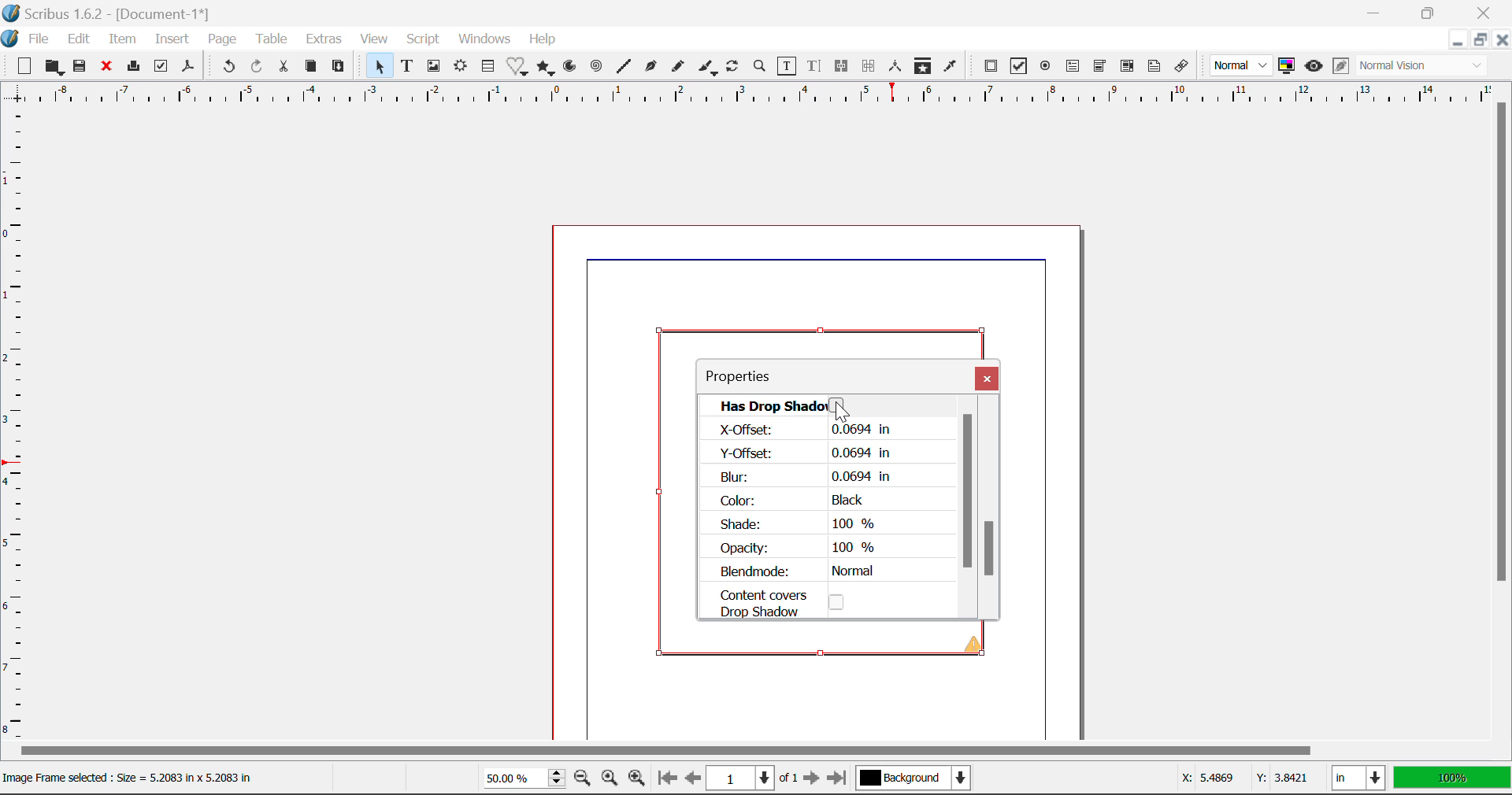 Image resolution: width=1512 pixels, height=795 pixels. Describe the element at coordinates (435, 68) in the screenshot. I see `Image Frame` at that location.